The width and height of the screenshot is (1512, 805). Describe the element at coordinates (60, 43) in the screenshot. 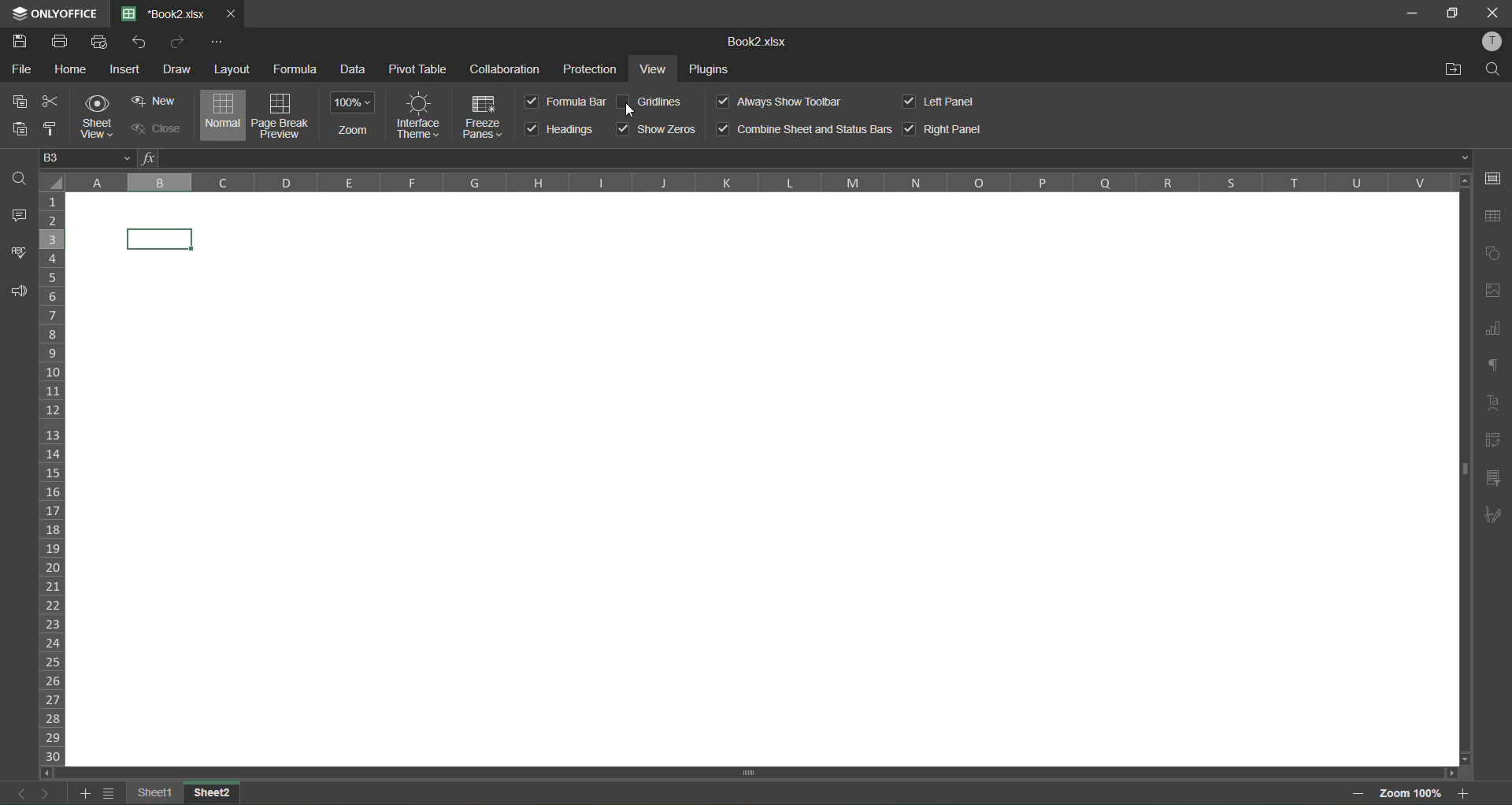

I see `print` at that location.